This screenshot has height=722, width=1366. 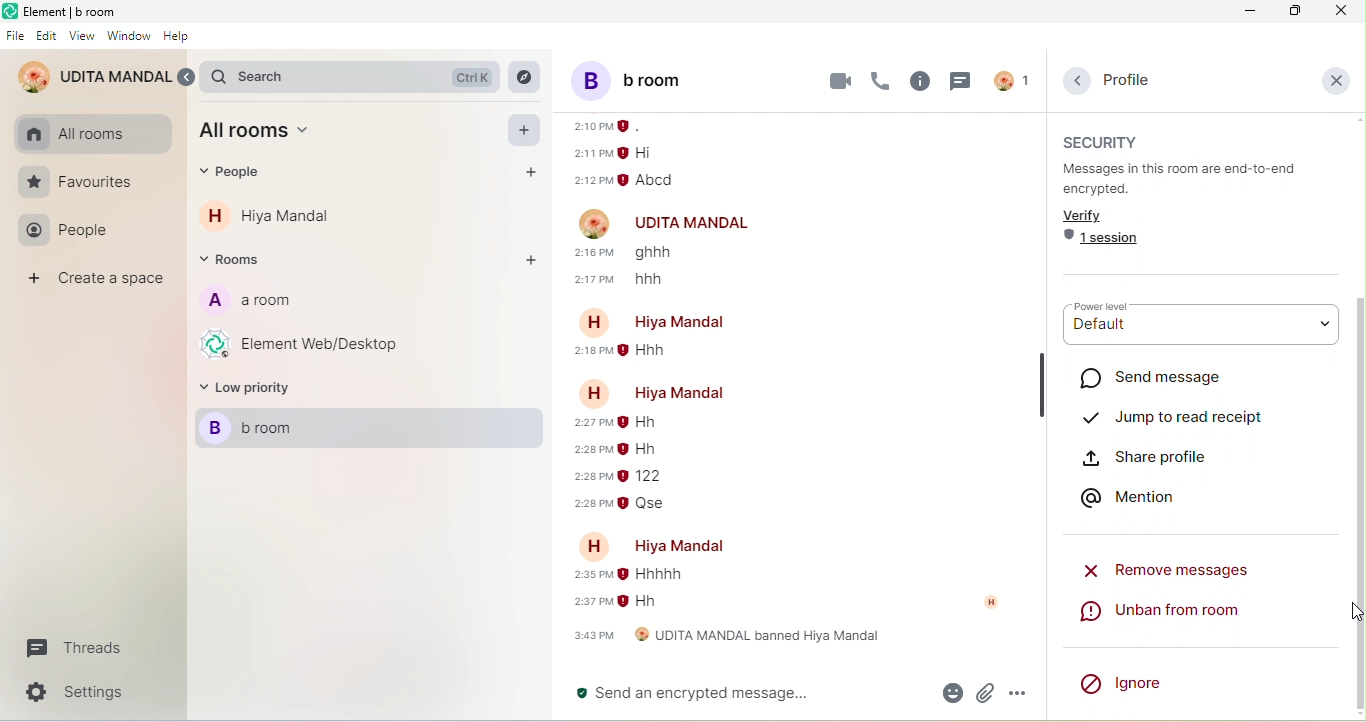 What do you see at coordinates (1168, 378) in the screenshot?
I see `send message` at bounding box center [1168, 378].